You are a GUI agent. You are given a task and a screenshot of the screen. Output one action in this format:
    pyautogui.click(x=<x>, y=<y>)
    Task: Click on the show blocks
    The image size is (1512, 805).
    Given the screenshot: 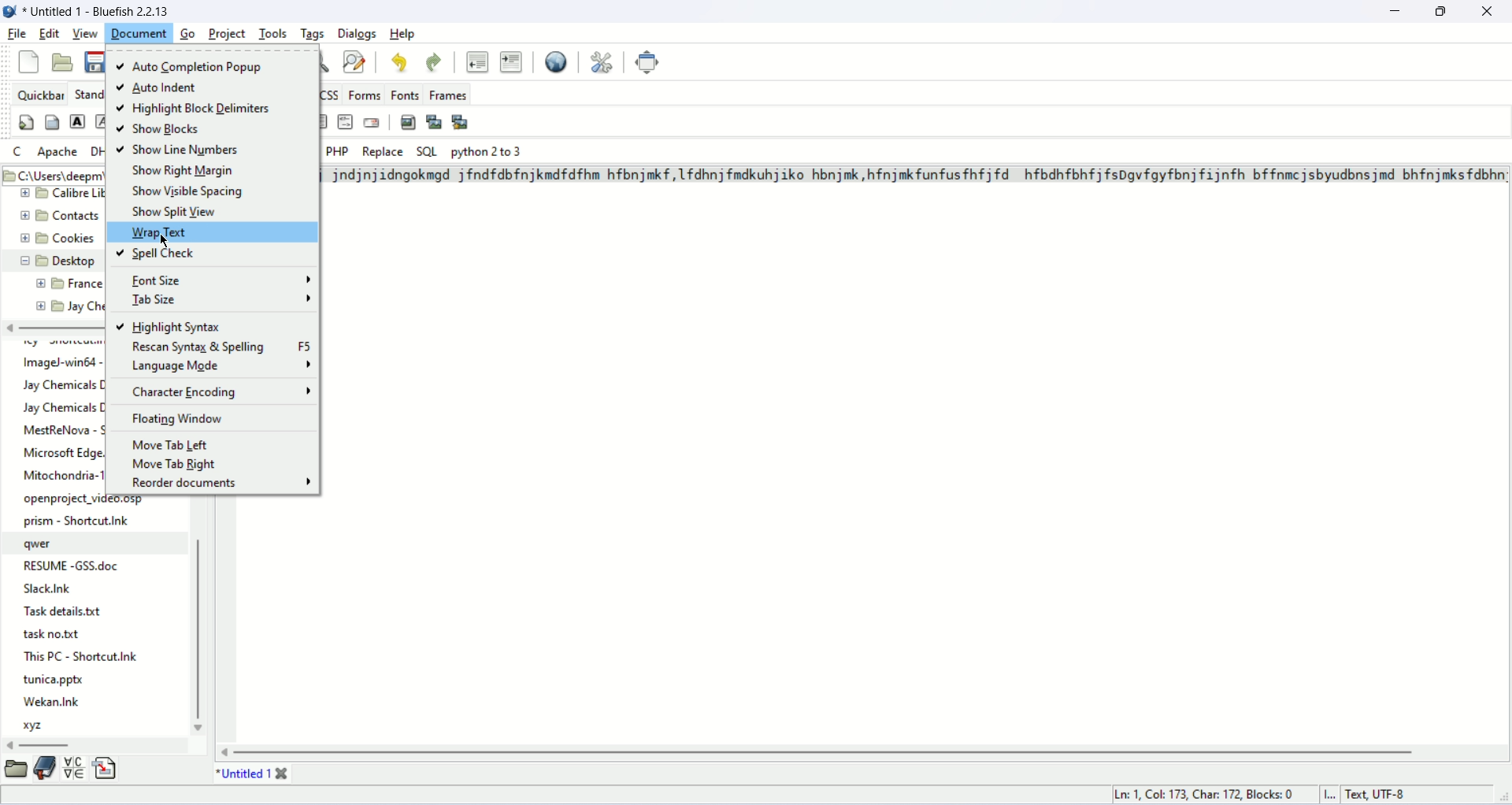 What is the action you would take?
    pyautogui.click(x=165, y=131)
    